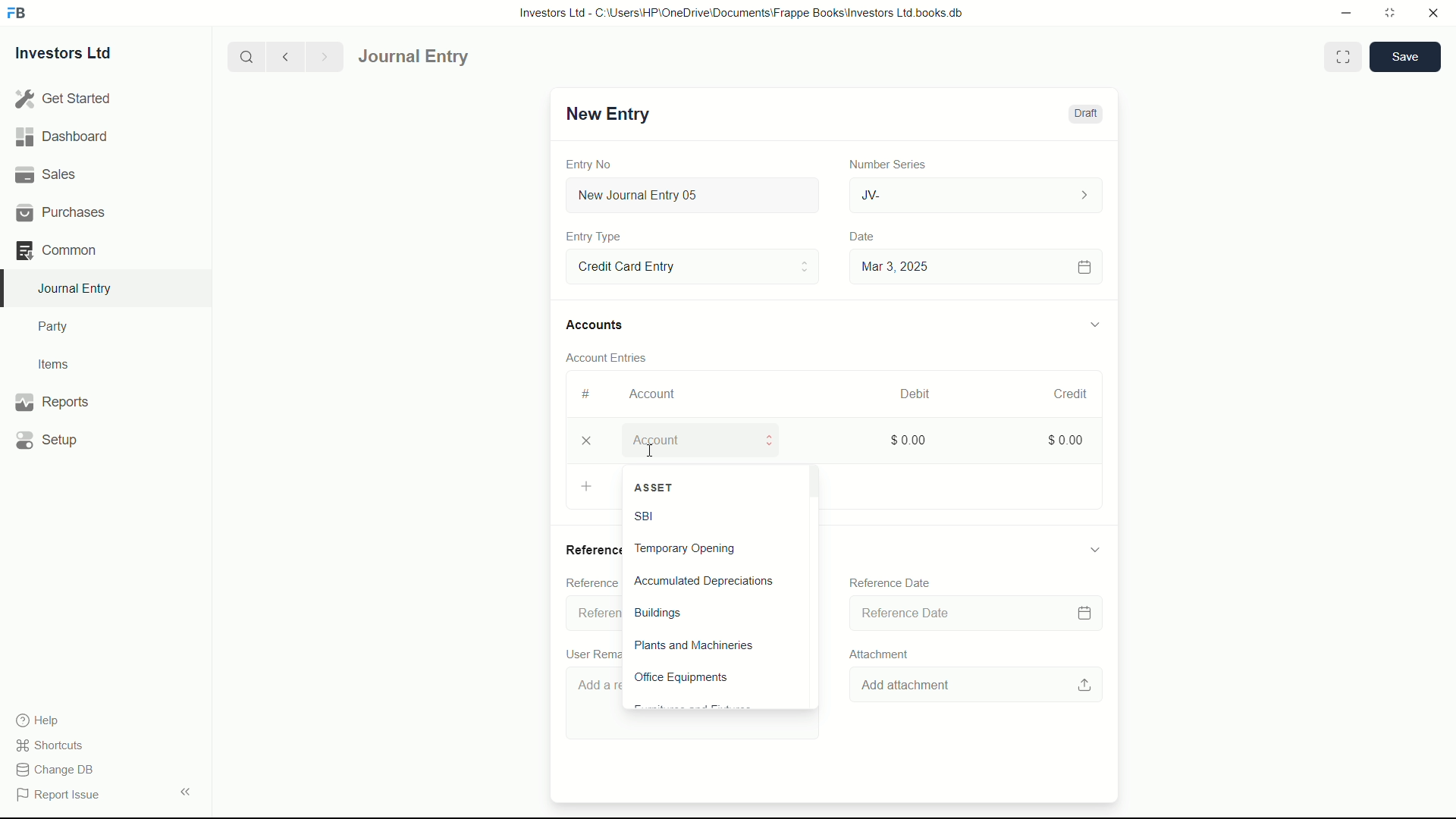 The width and height of the screenshot is (1456, 819). I want to click on Attachment, so click(875, 653).